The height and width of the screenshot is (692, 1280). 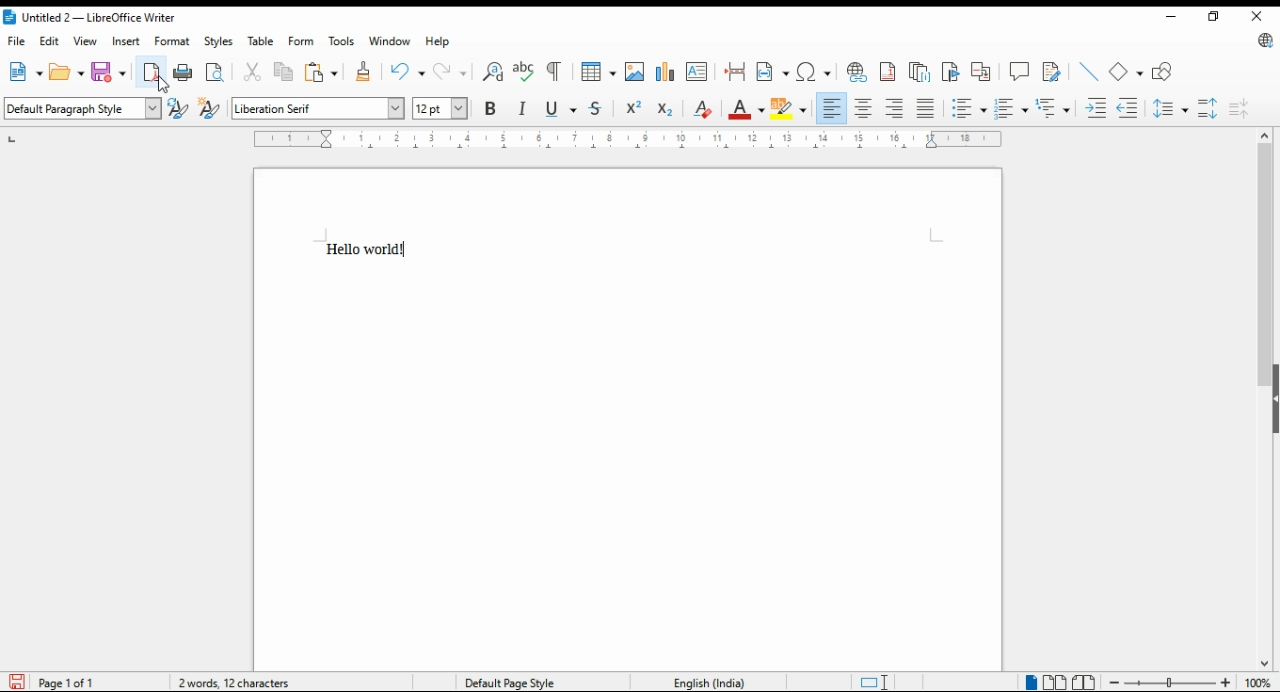 What do you see at coordinates (1259, 683) in the screenshot?
I see `zoom factor` at bounding box center [1259, 683].